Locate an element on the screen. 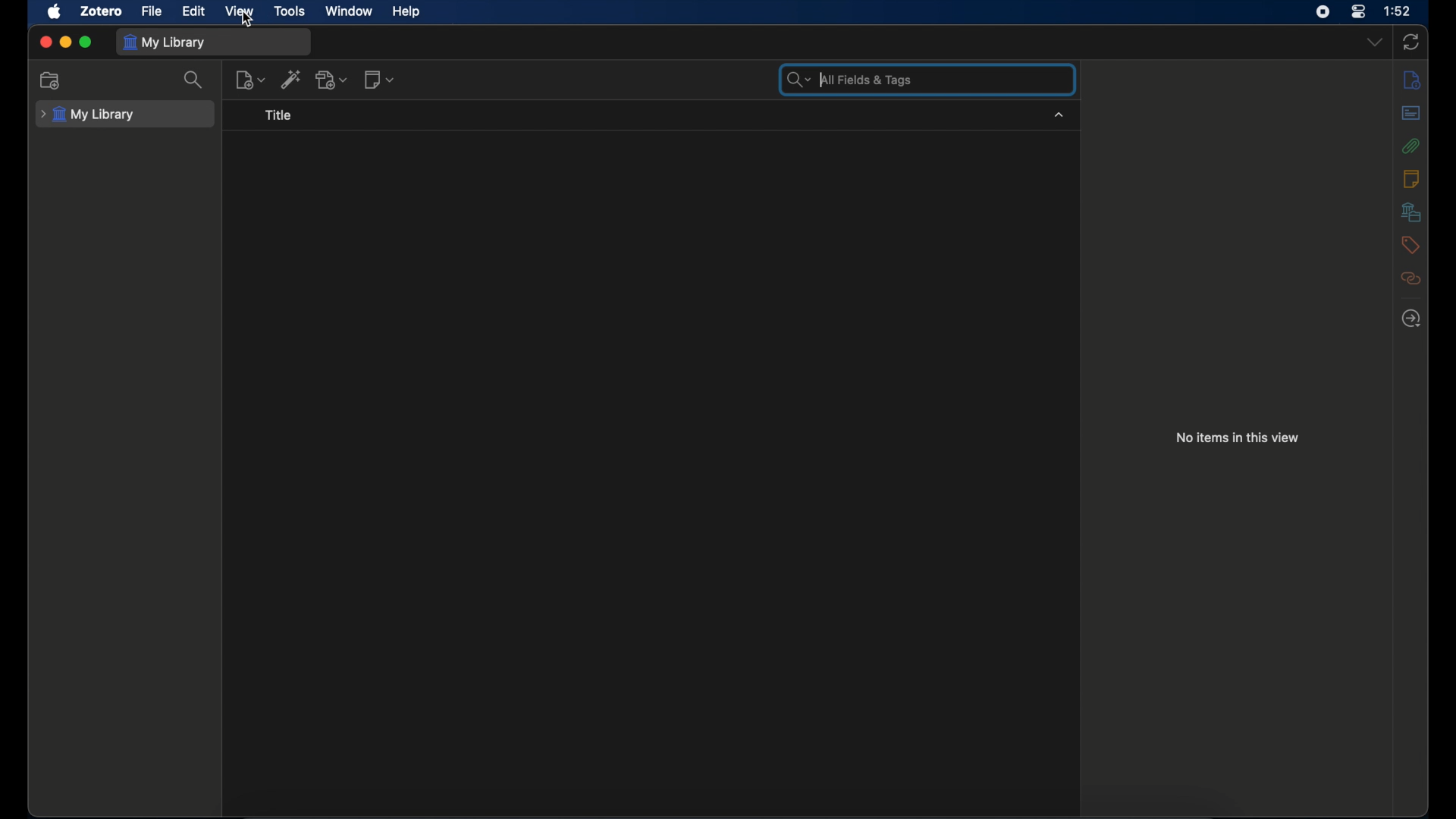  no items  in this view is located at coordinates (1238, 437).